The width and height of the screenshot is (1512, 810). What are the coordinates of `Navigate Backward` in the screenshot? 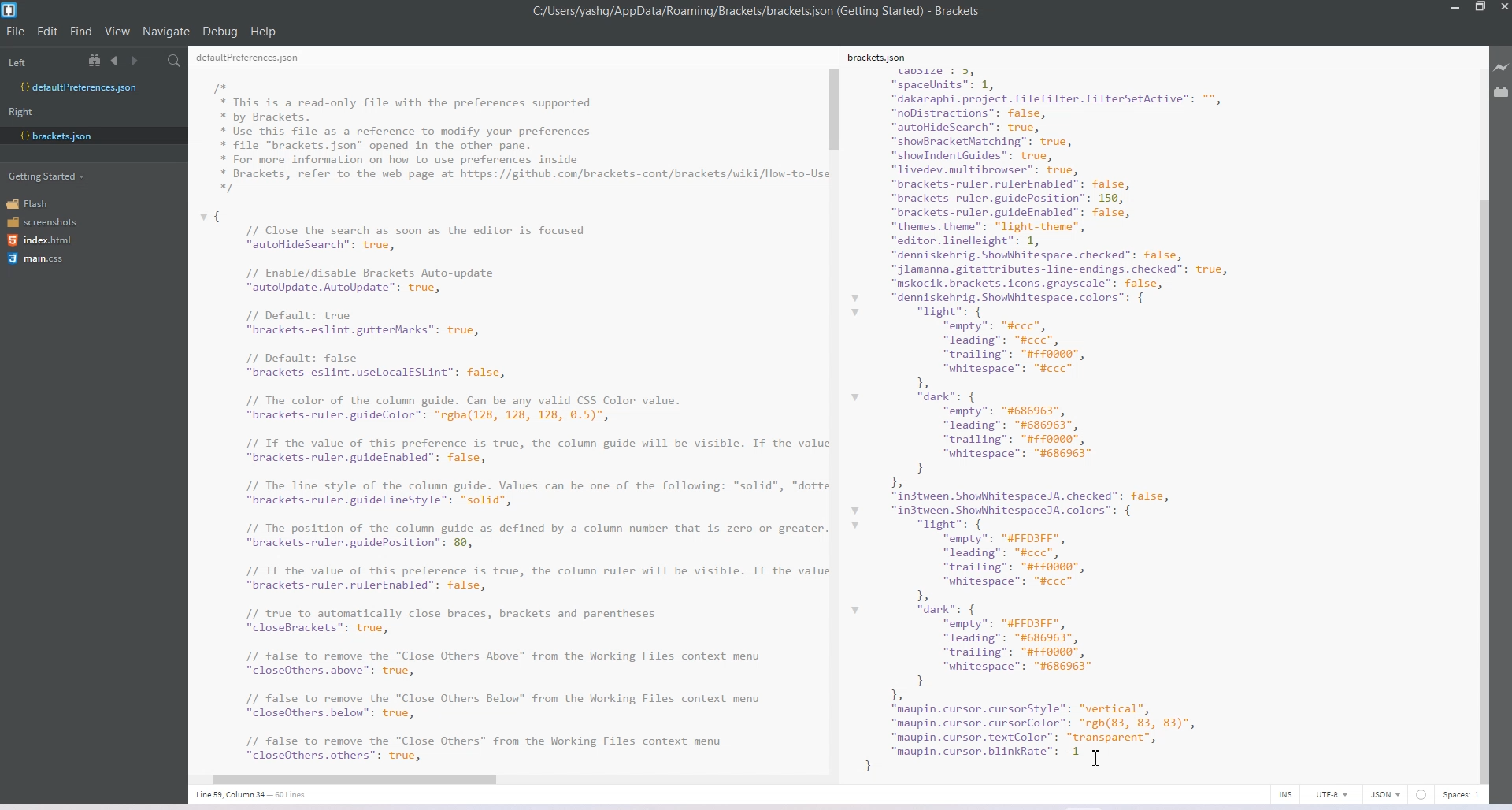 It's located at (117, 60).